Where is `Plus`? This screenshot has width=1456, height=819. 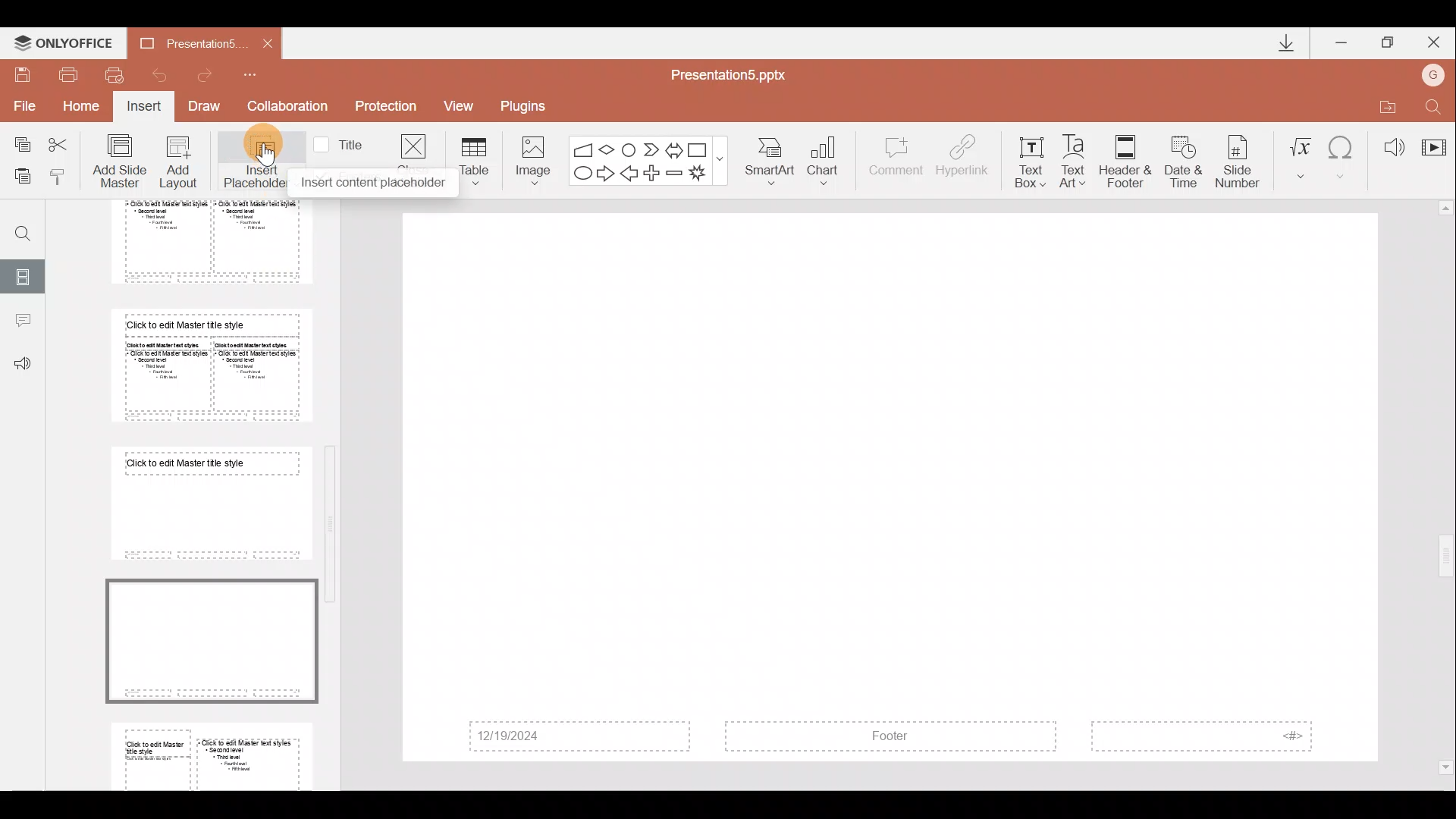 Plus is located at coordinates (654, 171).